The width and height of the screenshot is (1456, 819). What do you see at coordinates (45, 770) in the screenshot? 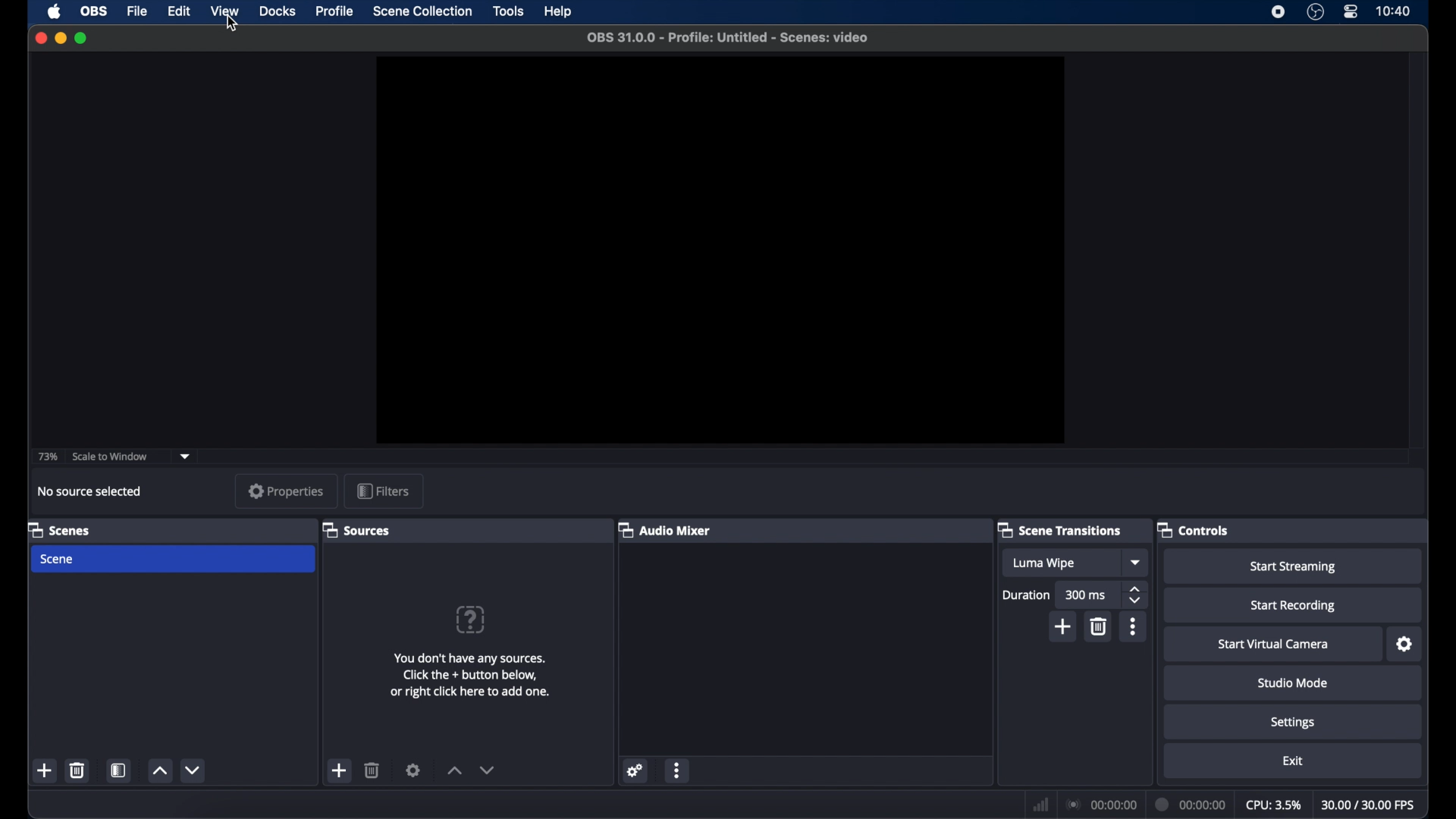
I see `add` at bounding box center [45, 770].